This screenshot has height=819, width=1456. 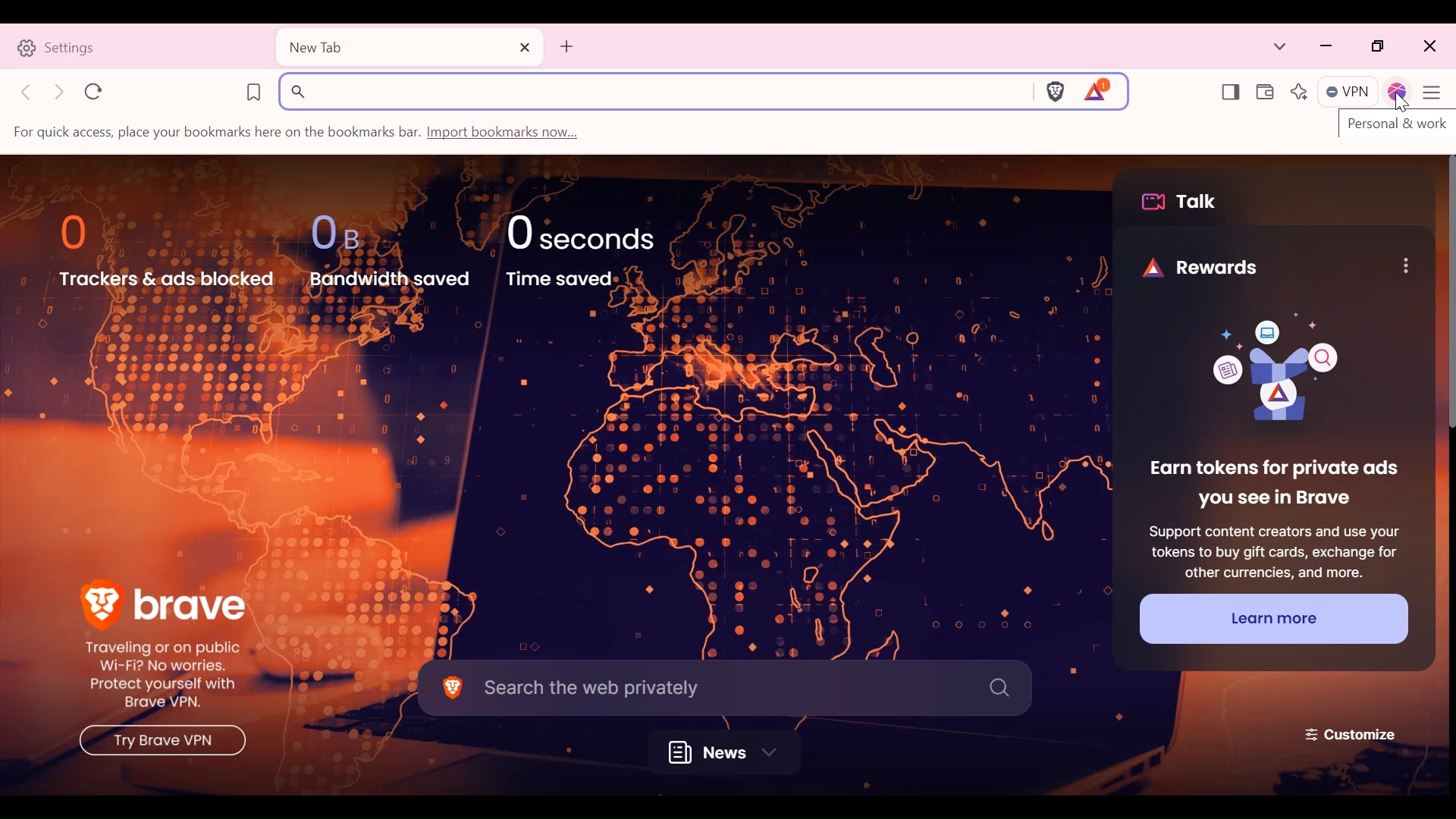 I want to click on Wallet, so click(x=1263, y=93).